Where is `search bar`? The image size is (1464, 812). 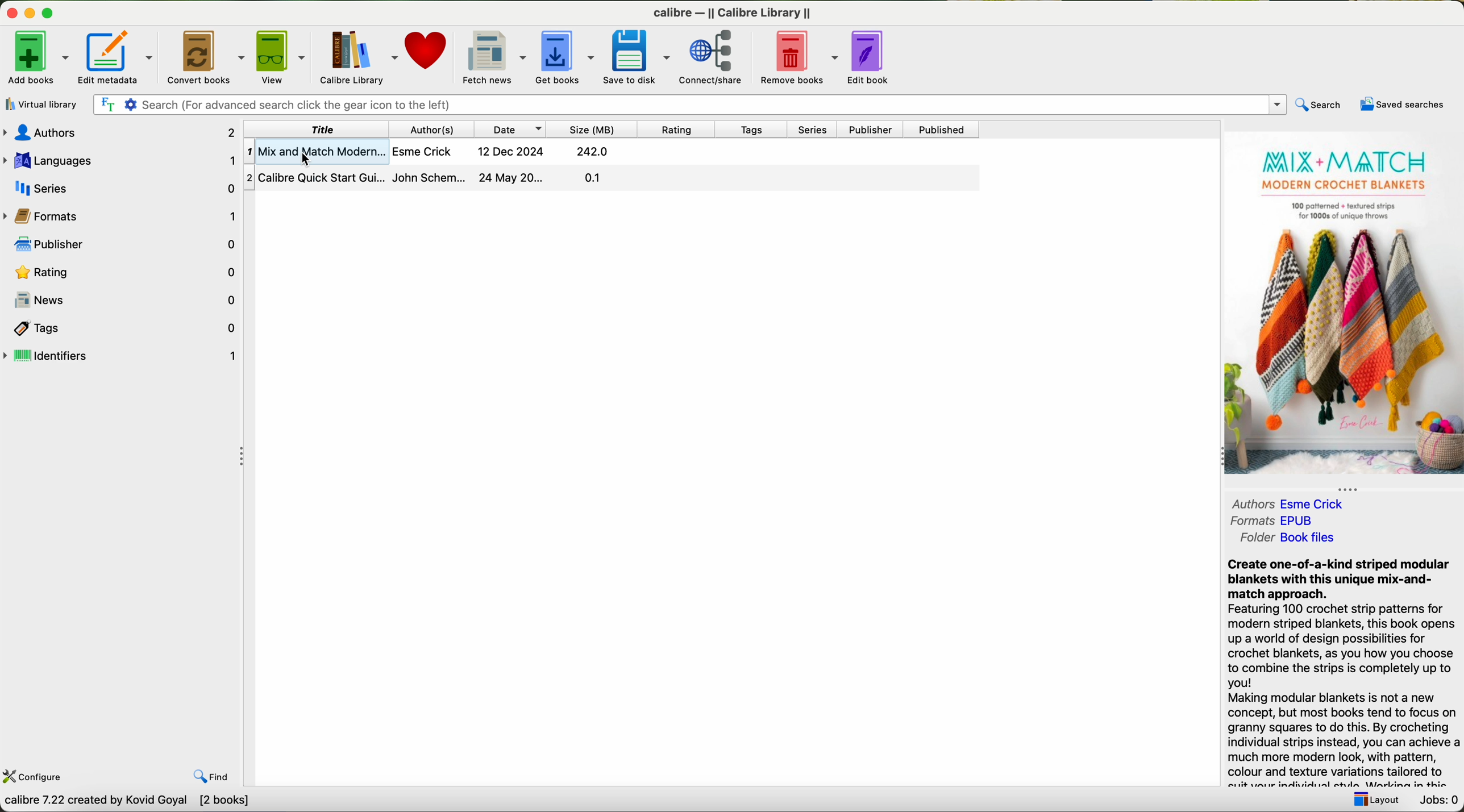
search bar is located at coordinates (686, 103).